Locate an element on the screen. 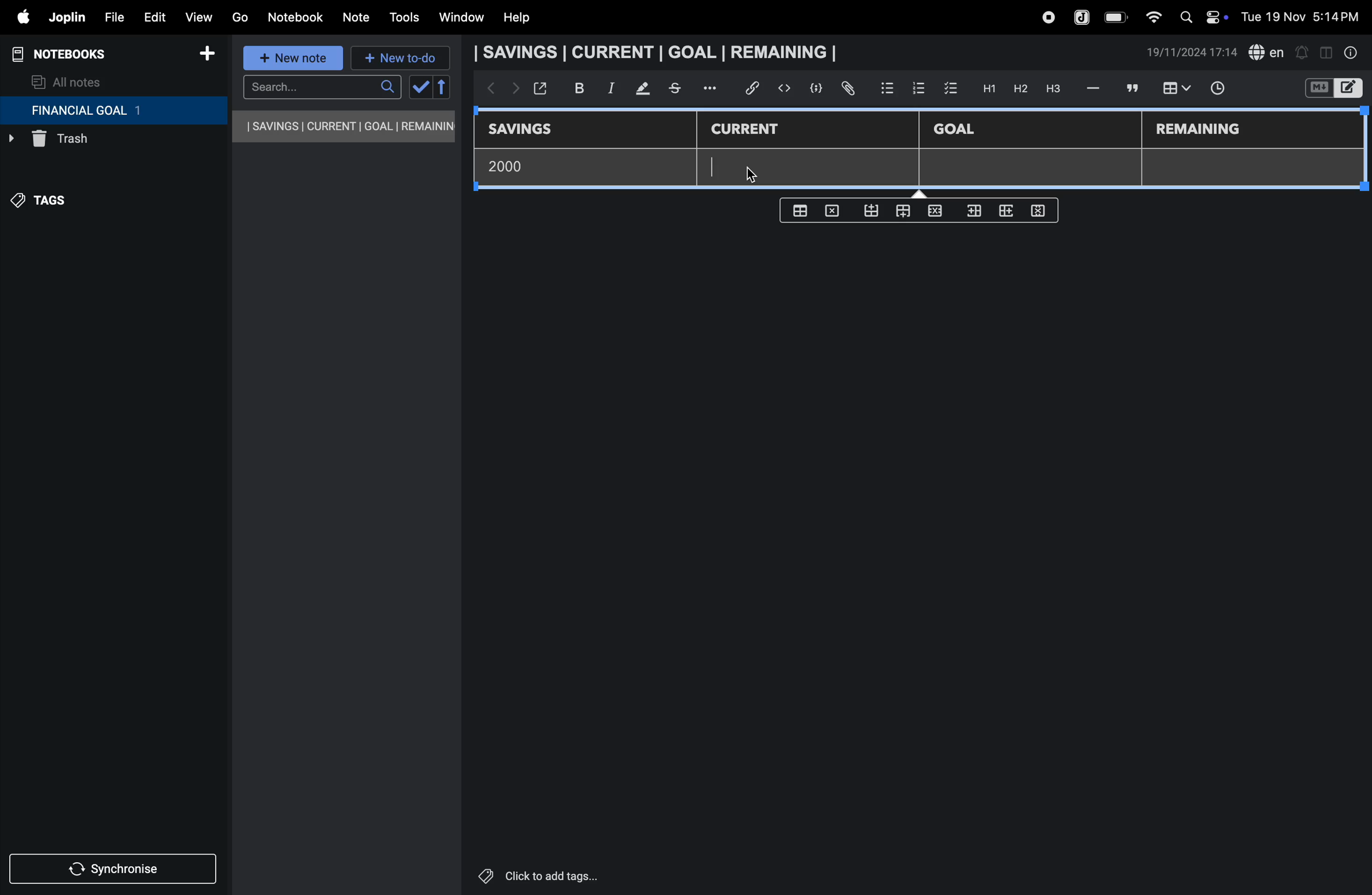 The image size is (1372, 895). edit is located at coordinates (149, 14).